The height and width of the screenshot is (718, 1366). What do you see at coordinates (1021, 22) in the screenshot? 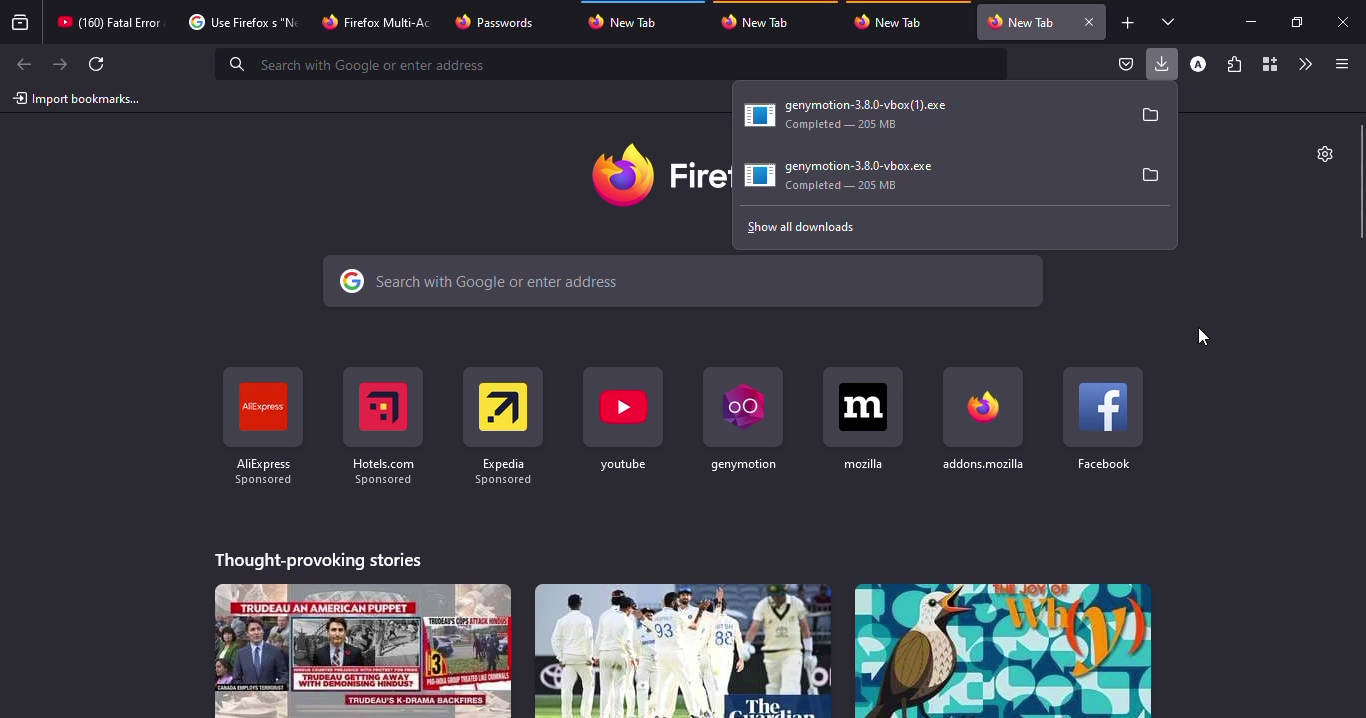
I see `tab` at bounding box center [1021, 22].